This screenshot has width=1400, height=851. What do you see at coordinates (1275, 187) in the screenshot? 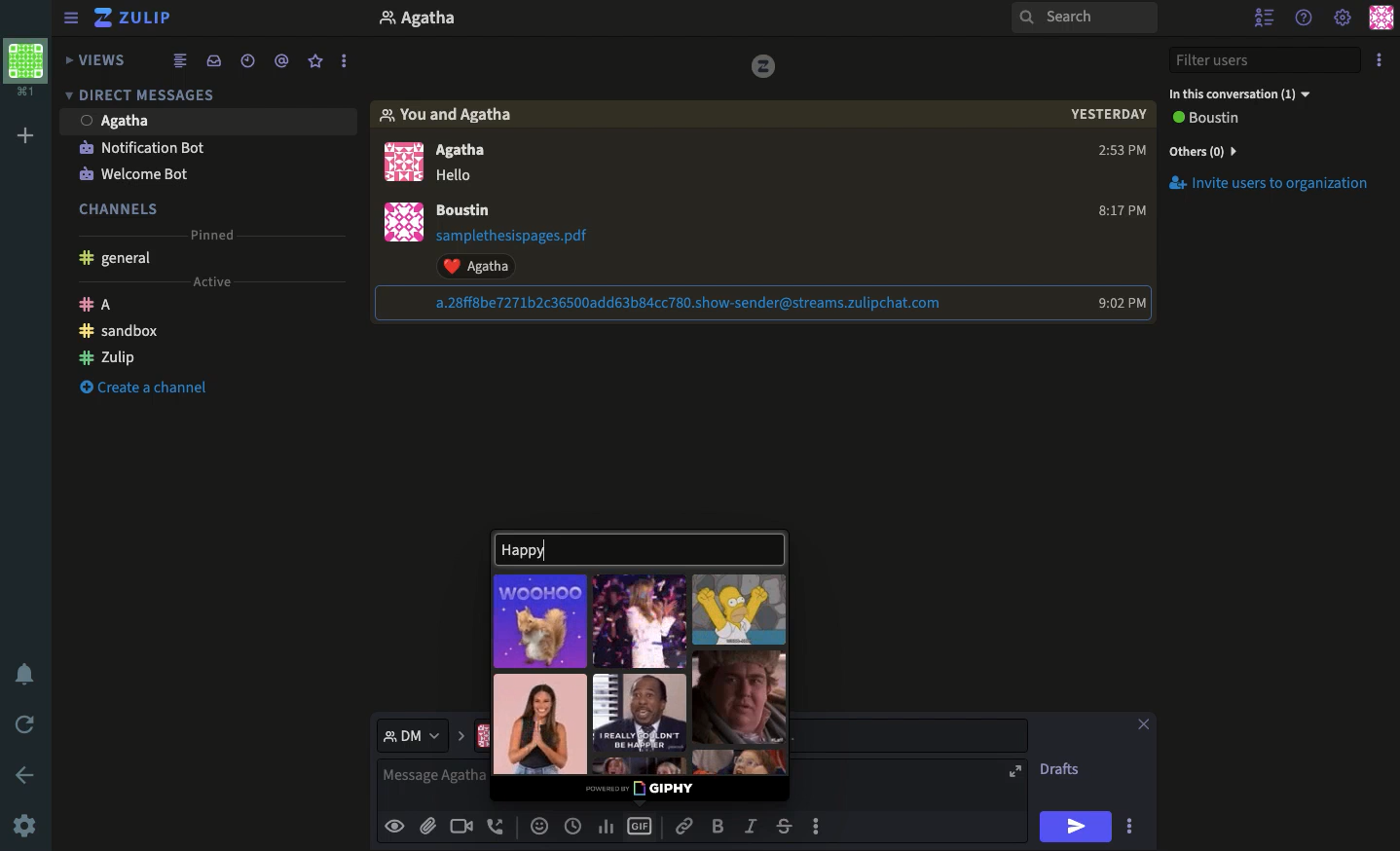
I see `Invite users to organizations` at bounding box center [1275, 187].